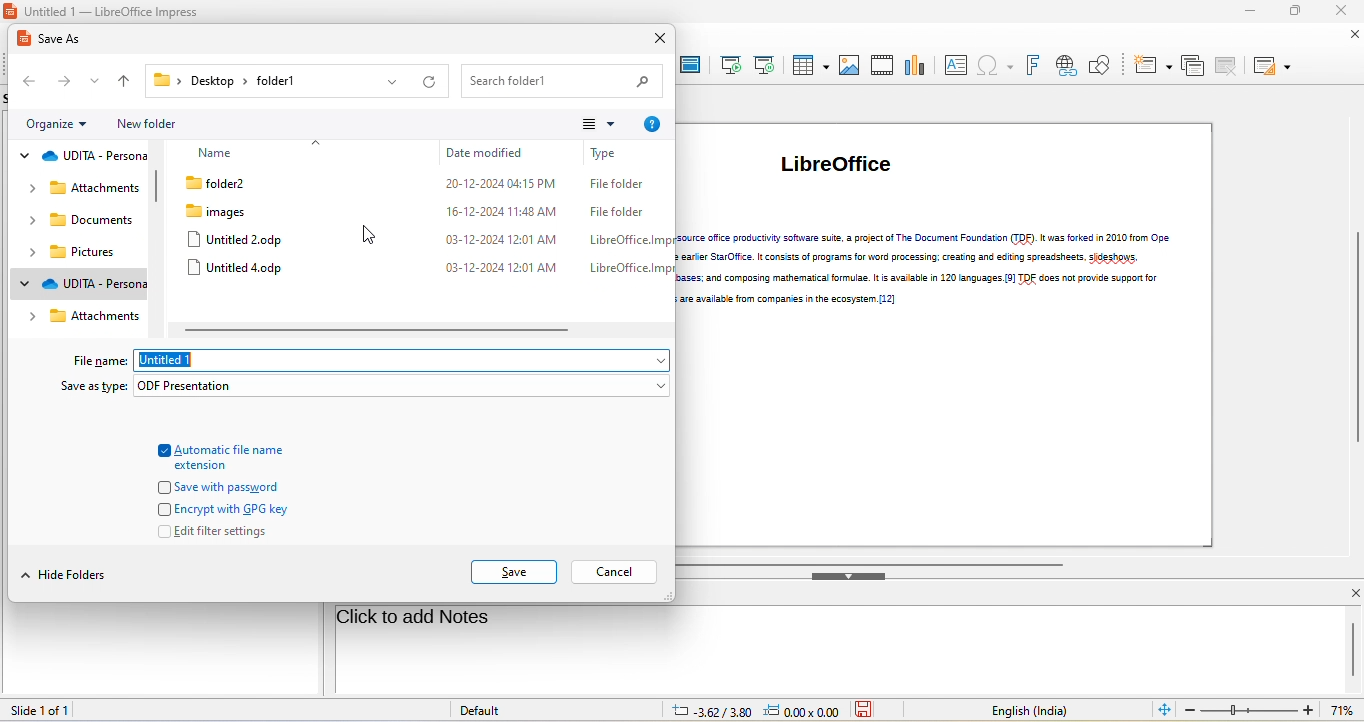 This screenshot has height=722, width=1364. What do you see at coordinates (767, 65) in the screenshot?
I see `start from current slide ` at bounding box center [767, 65].